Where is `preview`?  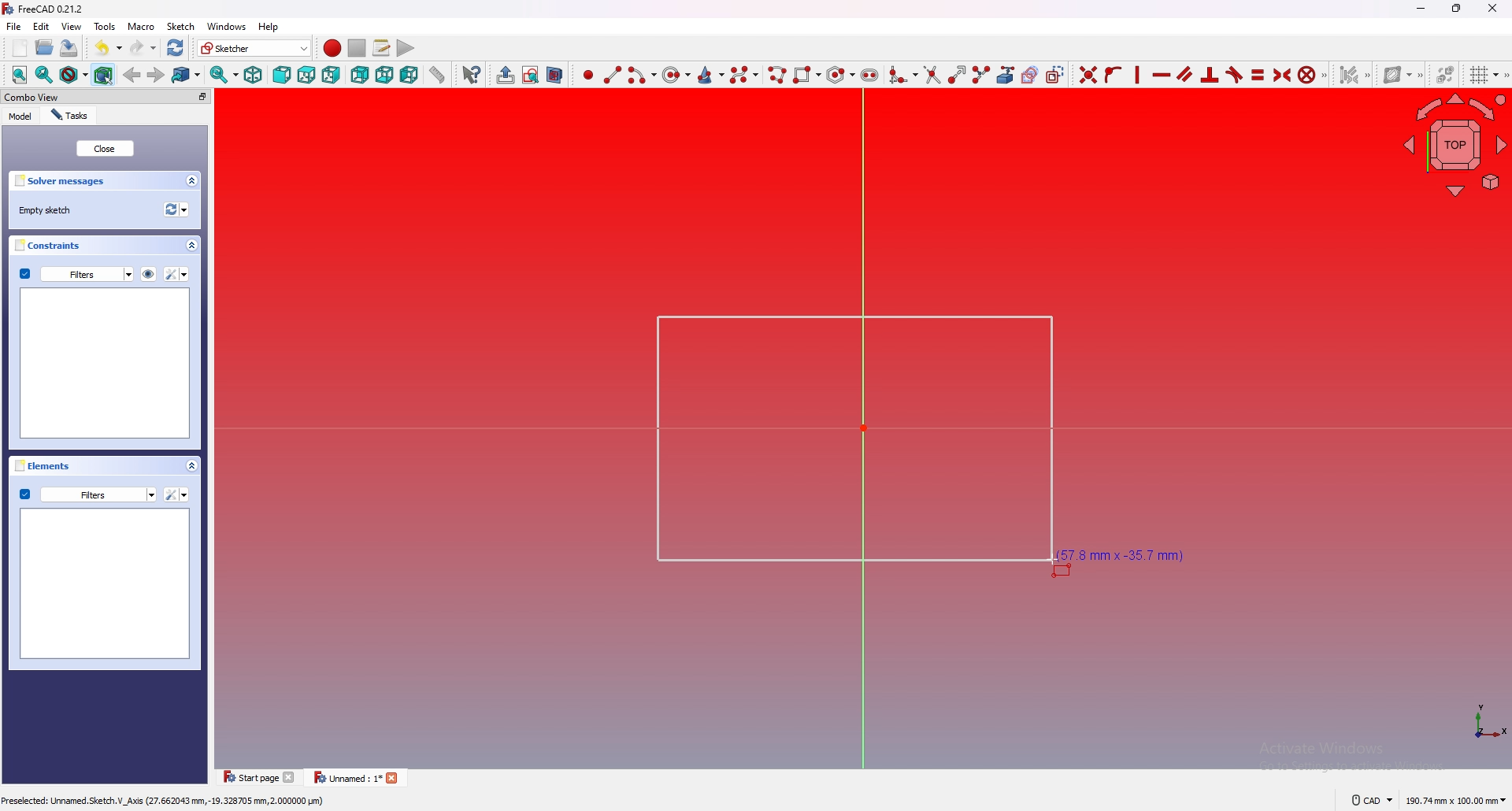 preview is located at coordinates (106, 583).